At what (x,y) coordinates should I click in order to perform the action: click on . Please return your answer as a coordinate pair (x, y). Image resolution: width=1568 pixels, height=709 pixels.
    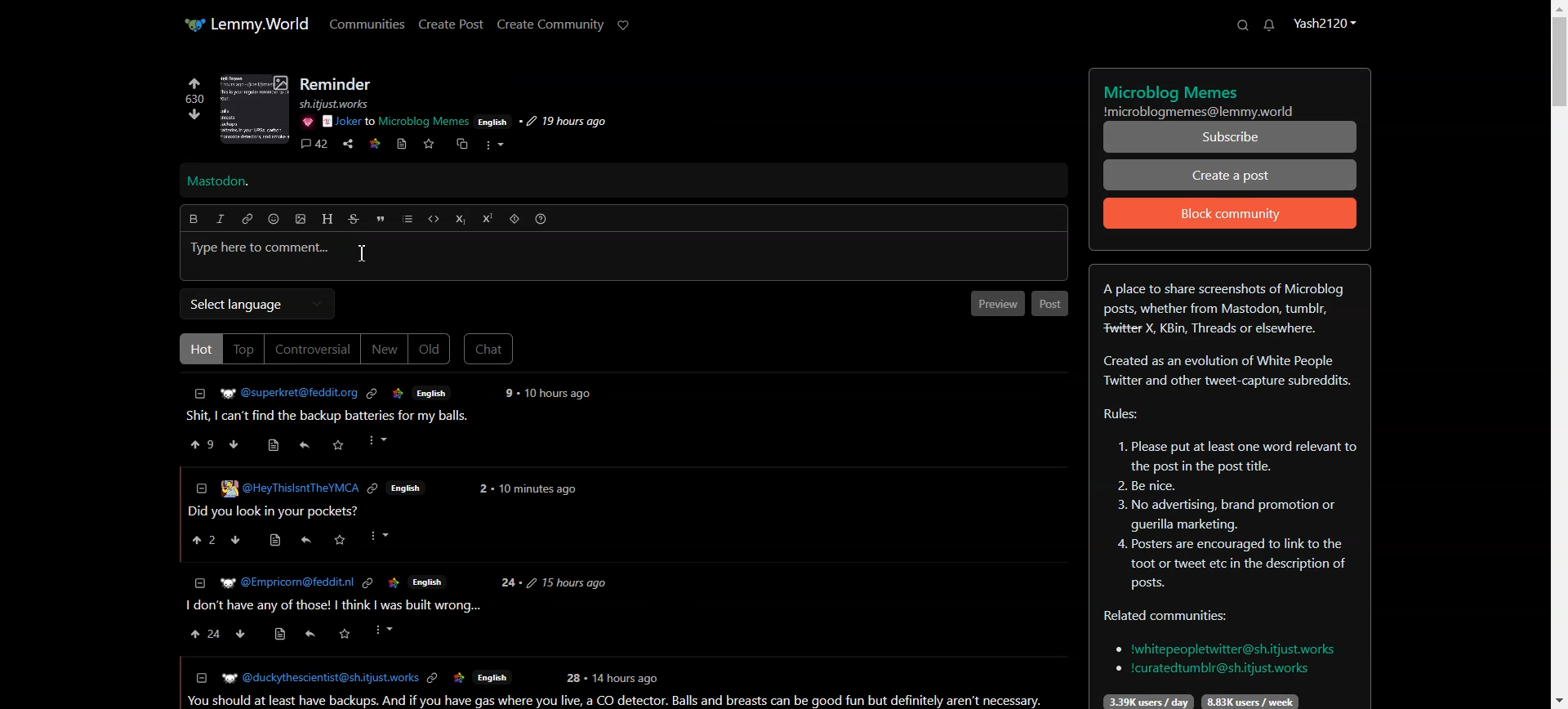
    Looking at the image, I should click on (238, 541).